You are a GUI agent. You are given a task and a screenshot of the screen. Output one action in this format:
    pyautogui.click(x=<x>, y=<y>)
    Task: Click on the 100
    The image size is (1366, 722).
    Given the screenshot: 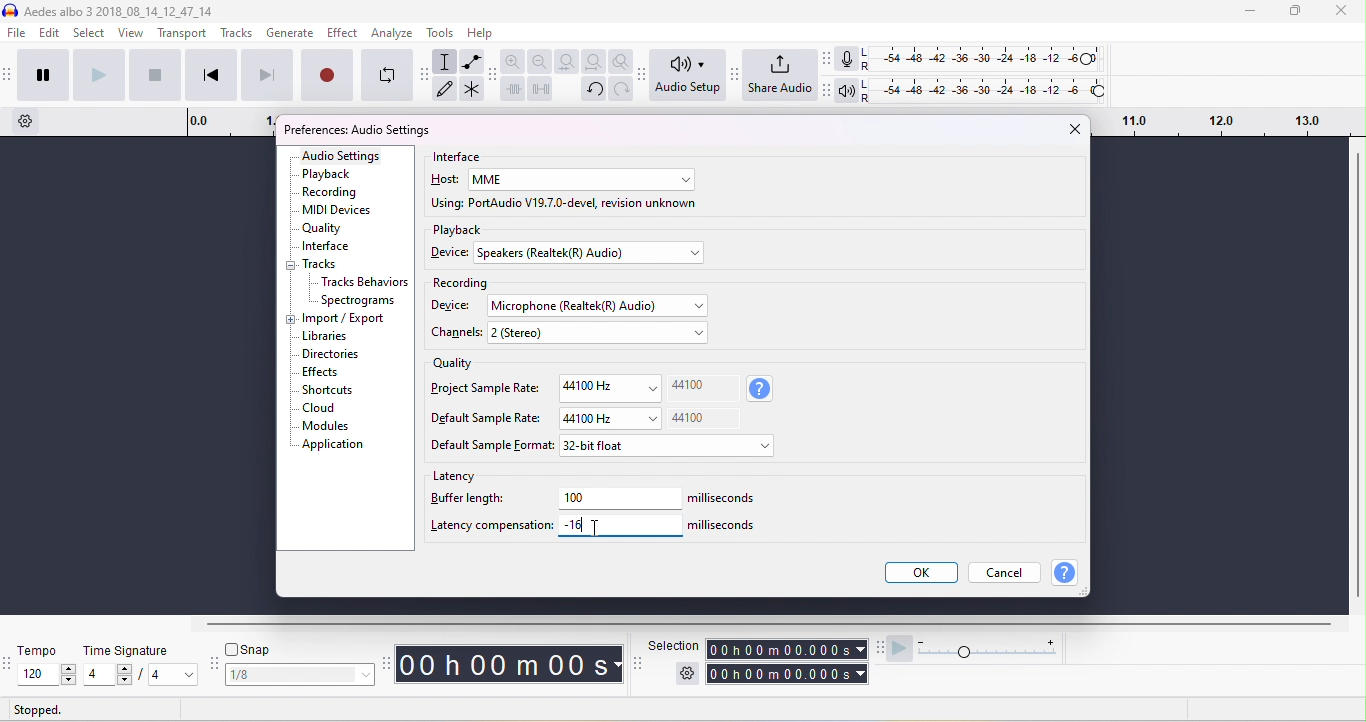 What is the action you would take?
    pyautogui.click(x=621, y=498)
    